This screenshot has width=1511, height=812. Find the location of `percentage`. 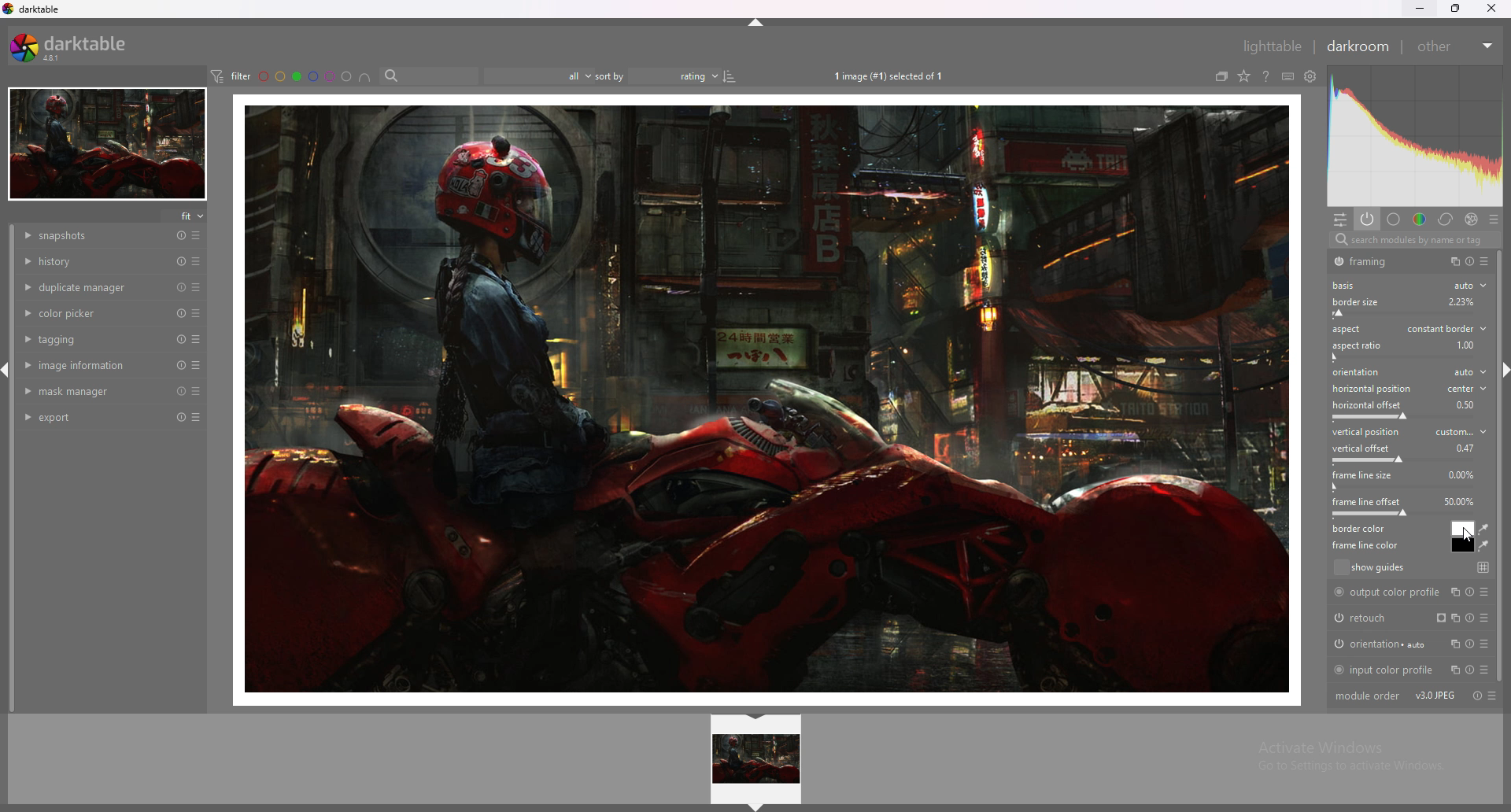

percentage is located at coordinates (1469, 404).